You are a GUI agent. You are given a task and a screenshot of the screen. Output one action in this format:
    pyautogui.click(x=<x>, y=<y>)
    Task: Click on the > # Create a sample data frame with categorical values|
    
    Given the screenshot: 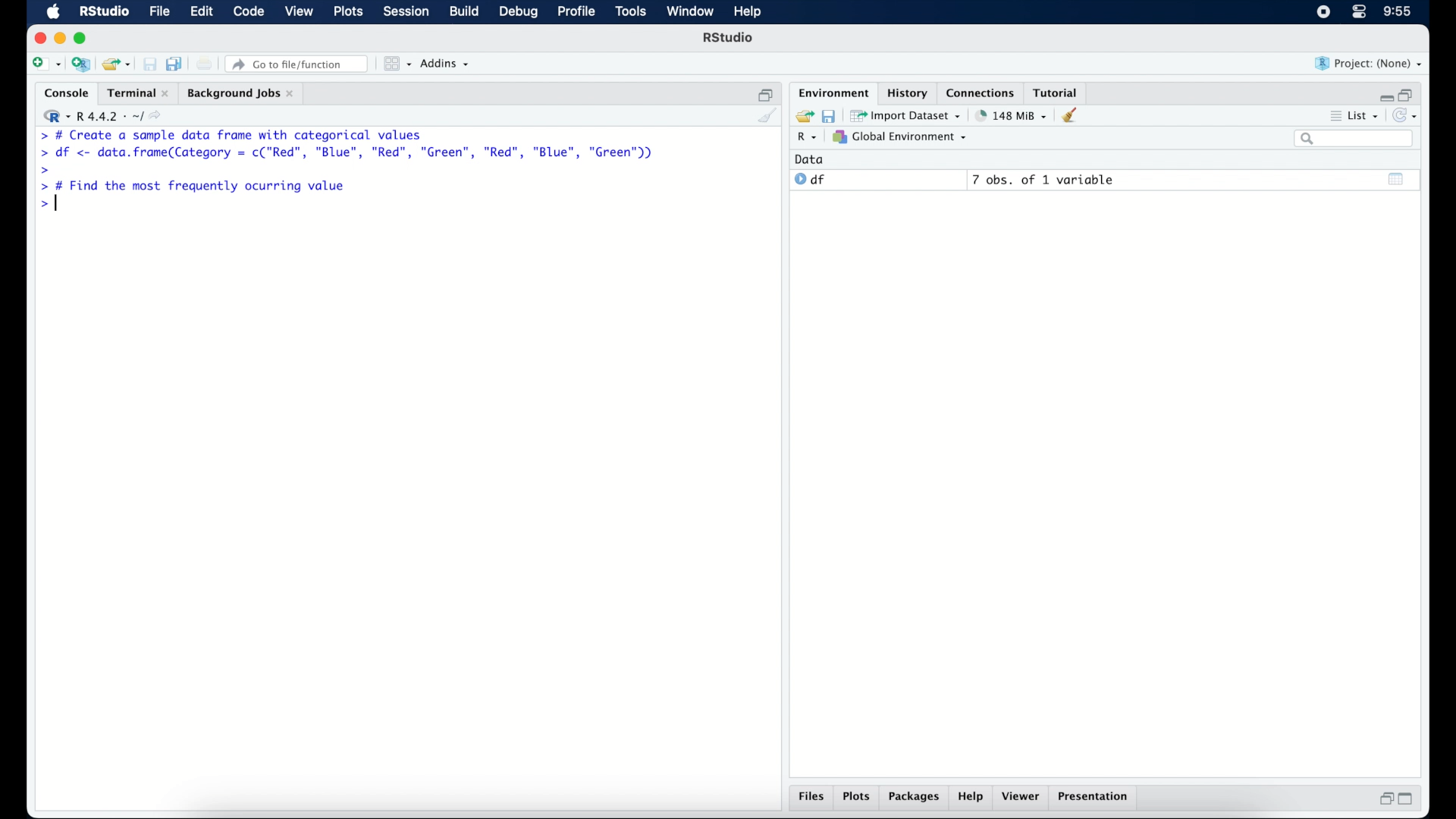 What is the action you would take?
    pyautogui.click(x=252, y=134)
    